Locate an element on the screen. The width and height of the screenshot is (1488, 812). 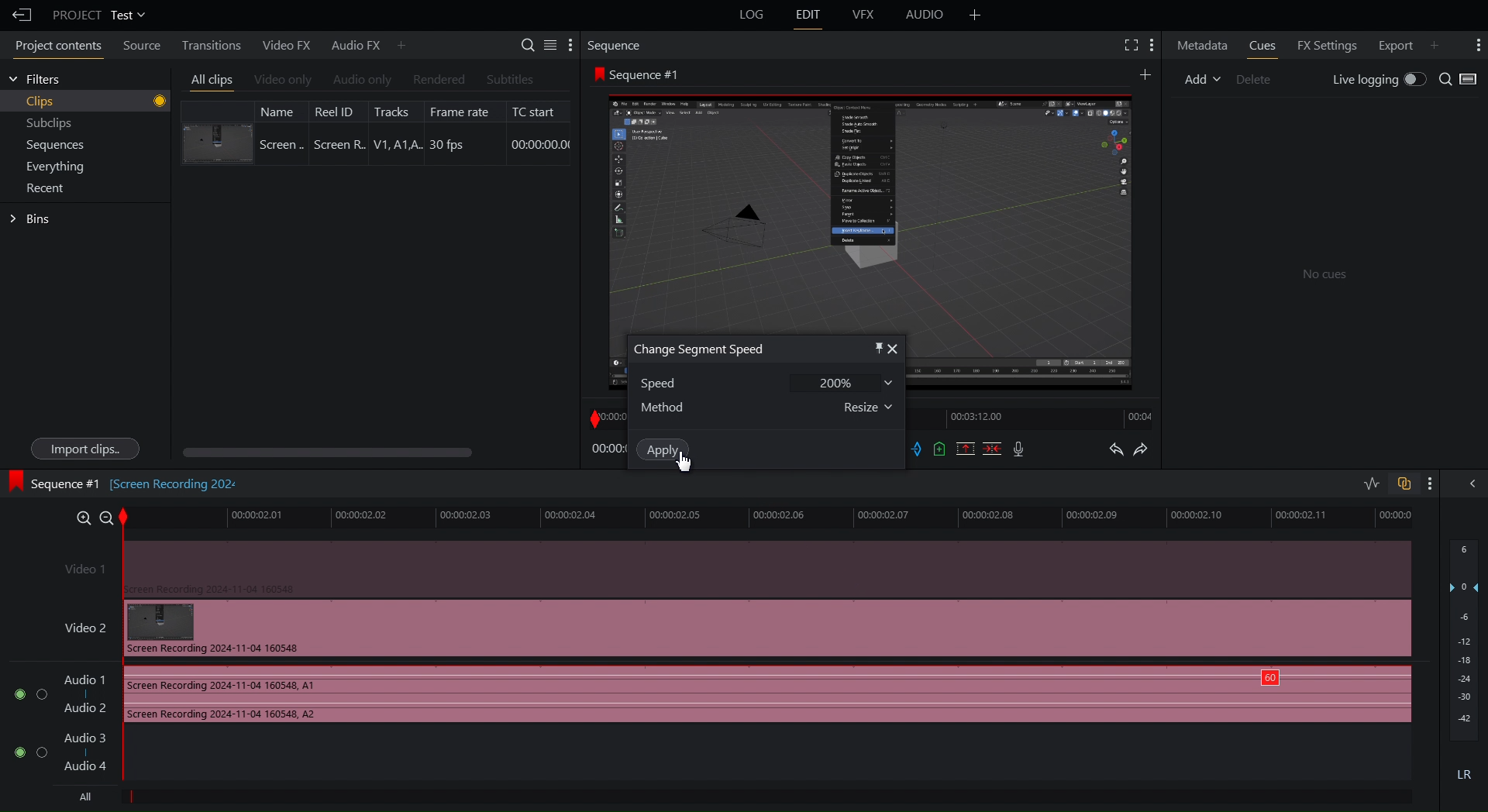
Project Test is located at coordinates (98, 15).